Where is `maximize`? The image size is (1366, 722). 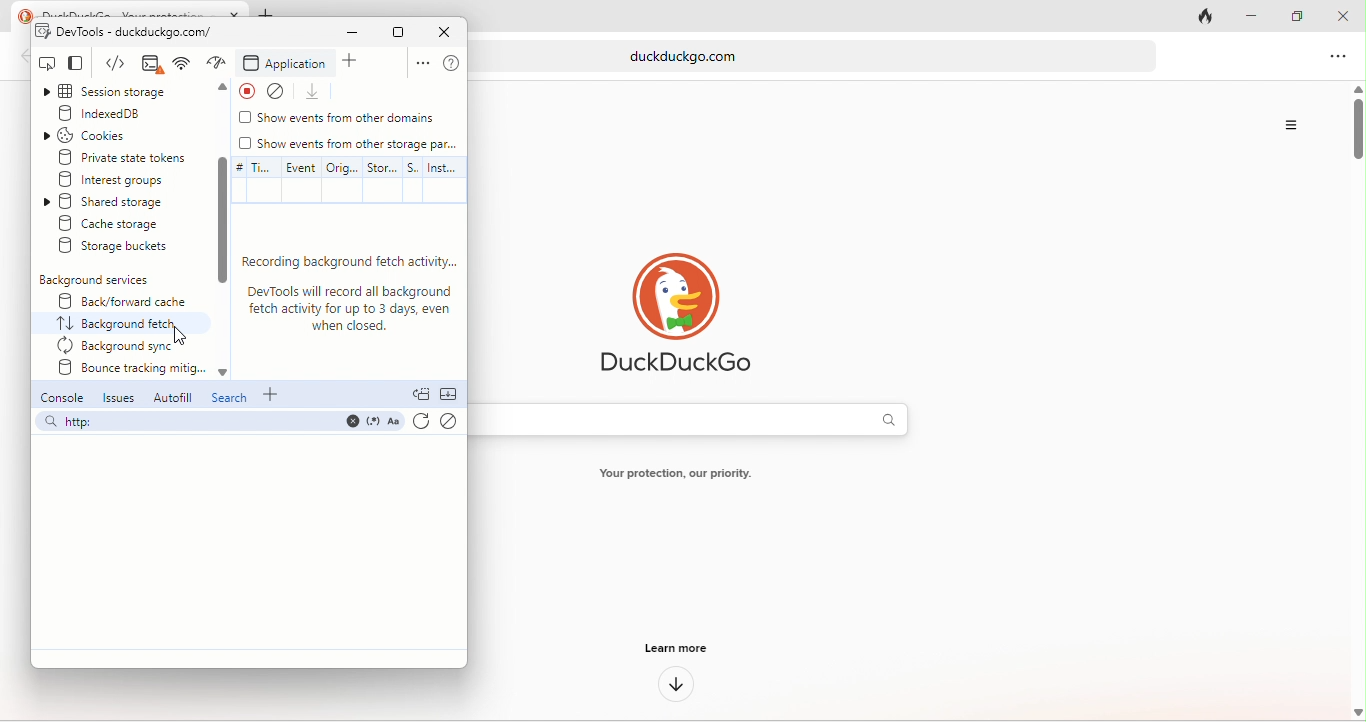 maximize is located at coordinates (1289, 13).